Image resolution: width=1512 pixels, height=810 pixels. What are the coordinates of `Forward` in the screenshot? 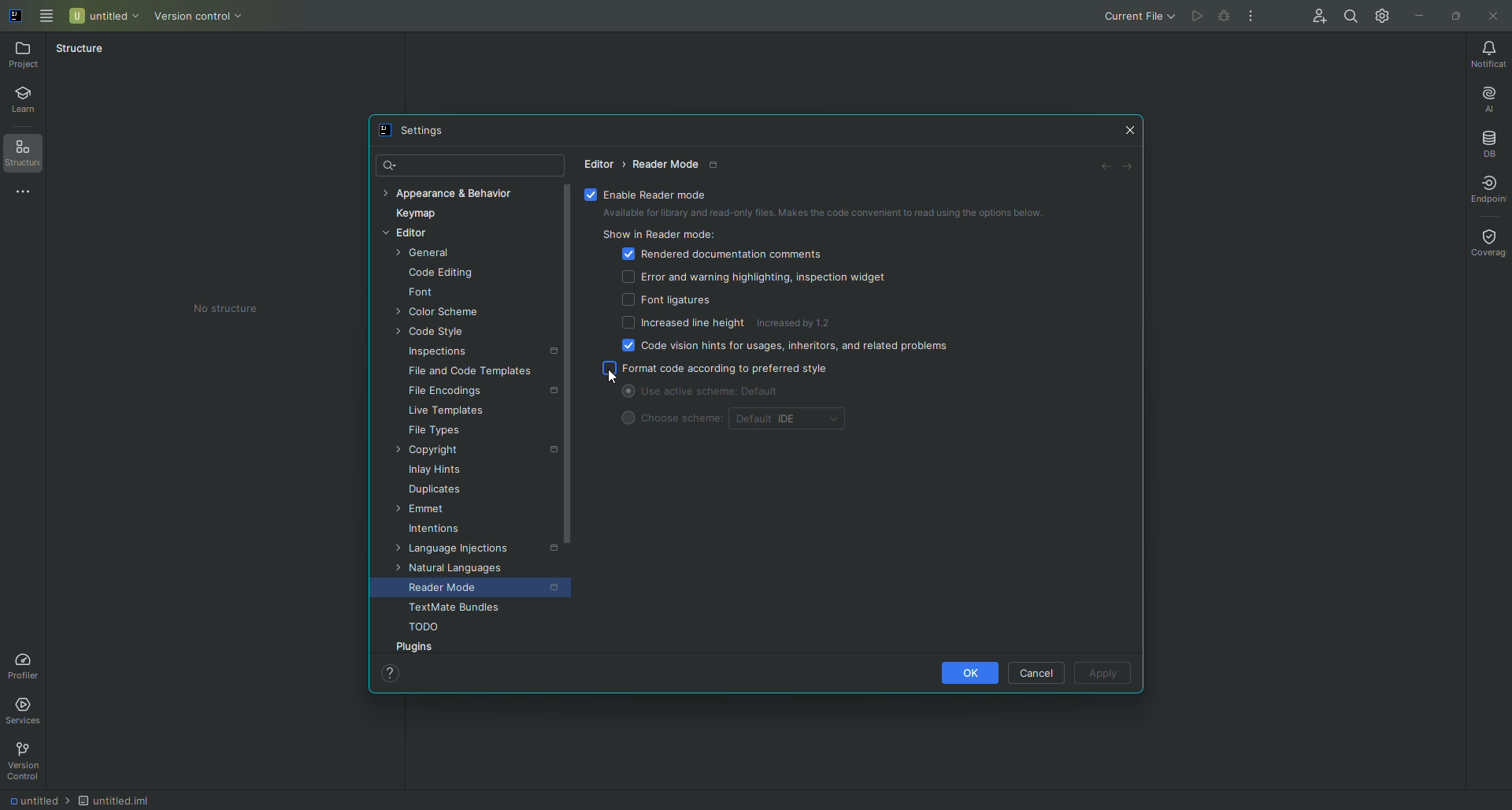 It's located at (1132, 168).